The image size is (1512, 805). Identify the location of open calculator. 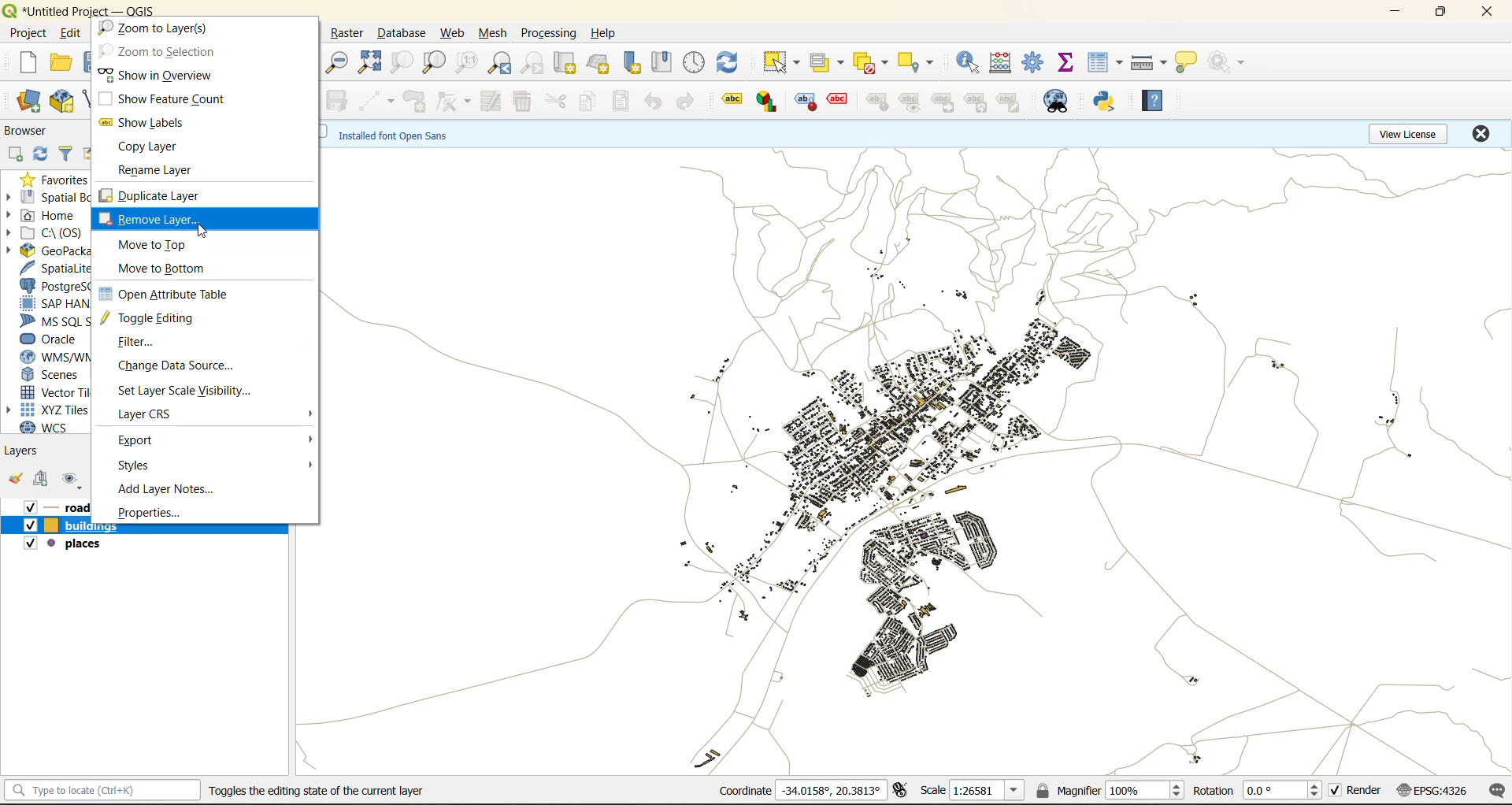
(1004, 65).